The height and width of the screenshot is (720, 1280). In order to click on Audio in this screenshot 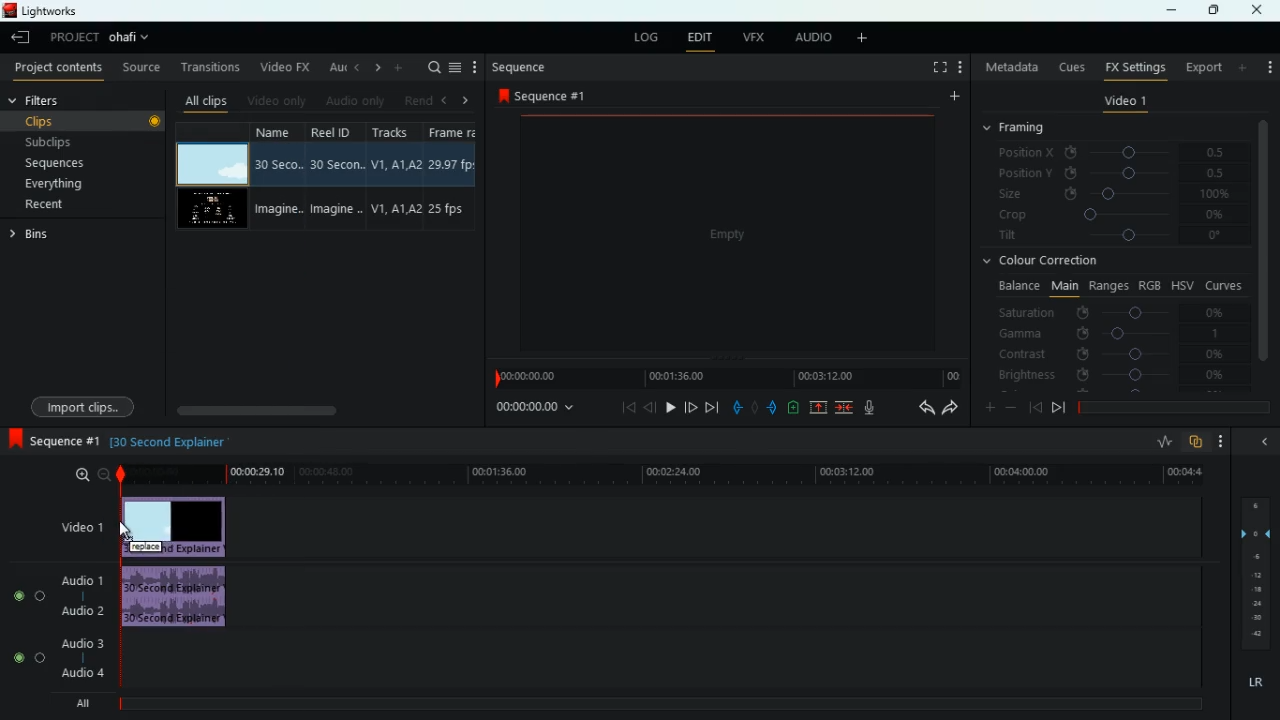, I will do `click(28, 658)`.